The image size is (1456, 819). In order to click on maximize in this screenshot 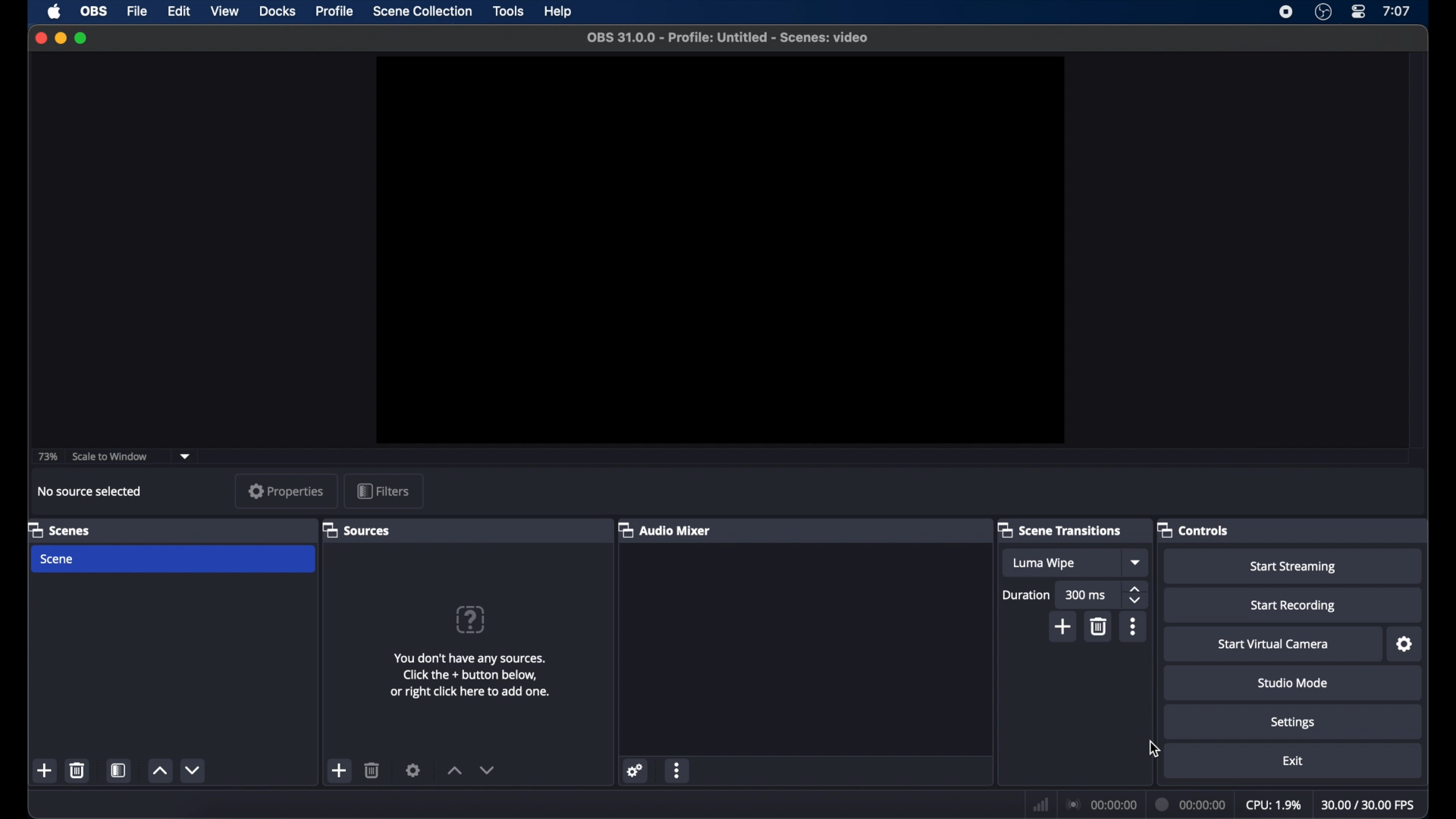, I will do `click(81, 38)`.